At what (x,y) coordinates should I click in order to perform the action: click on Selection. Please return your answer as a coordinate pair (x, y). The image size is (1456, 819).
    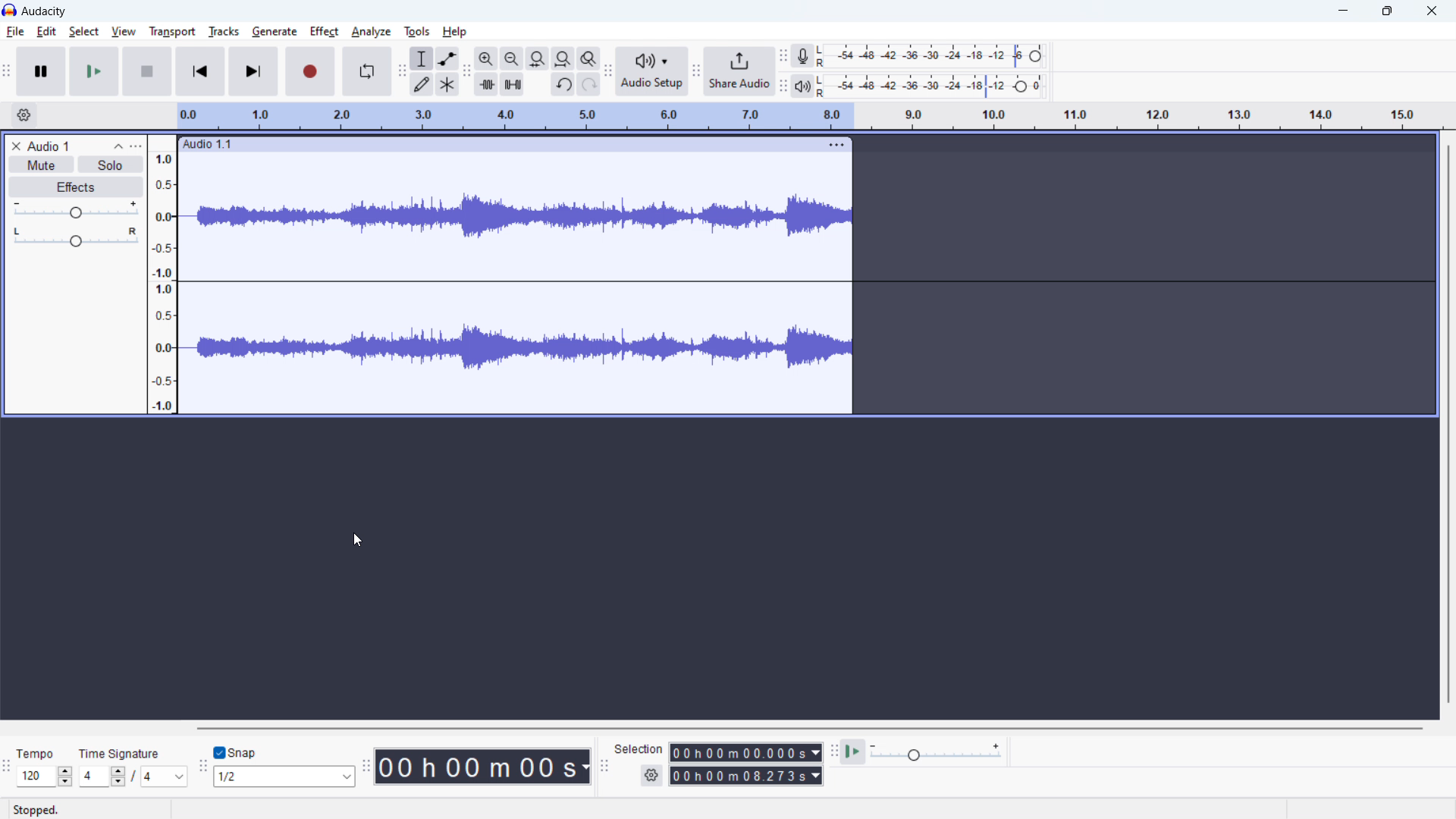
    Looking at the image, I should click on (639, 748).